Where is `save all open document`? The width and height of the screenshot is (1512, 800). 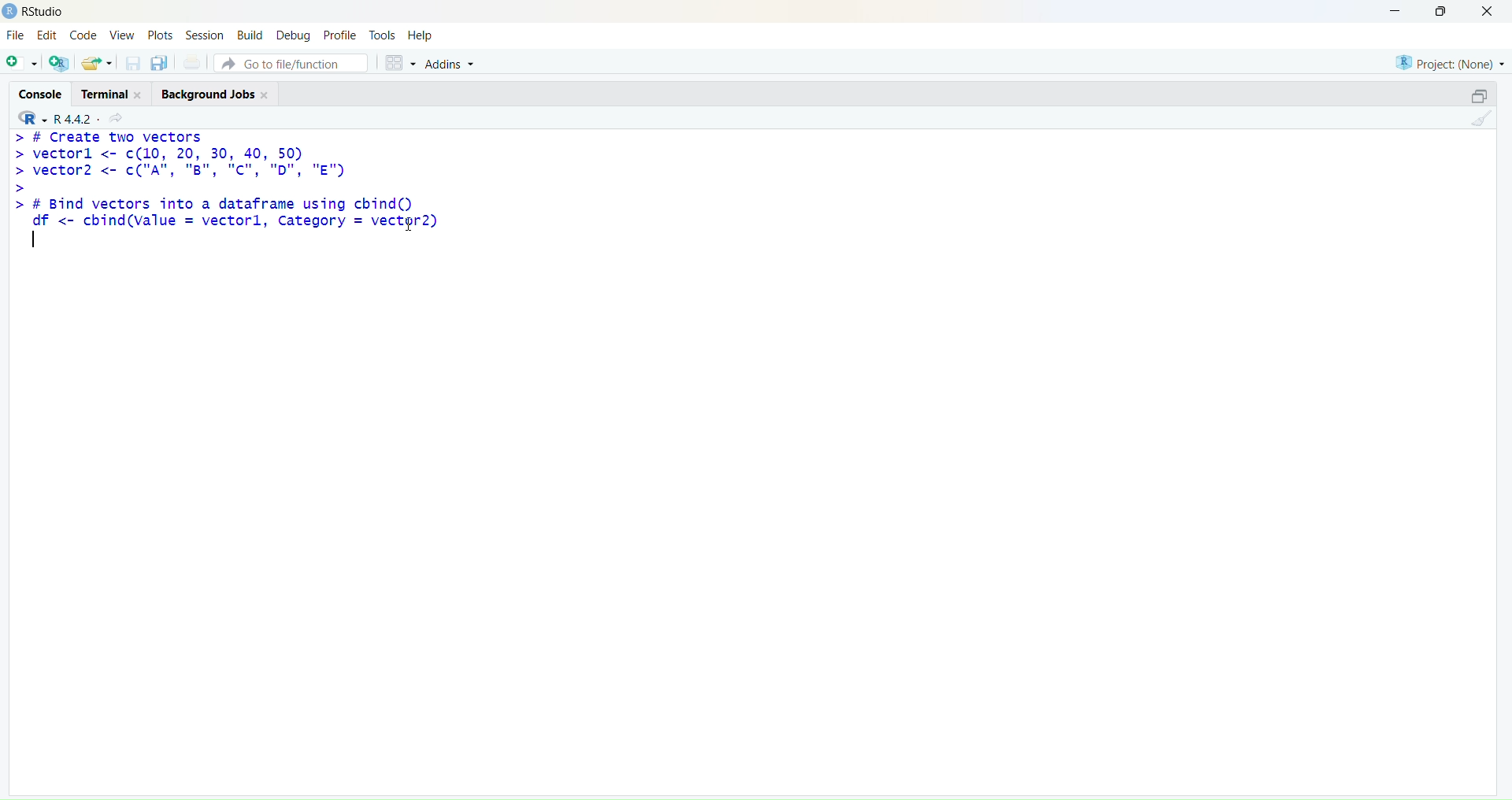 save all open document is located at coordinates (161, 64).